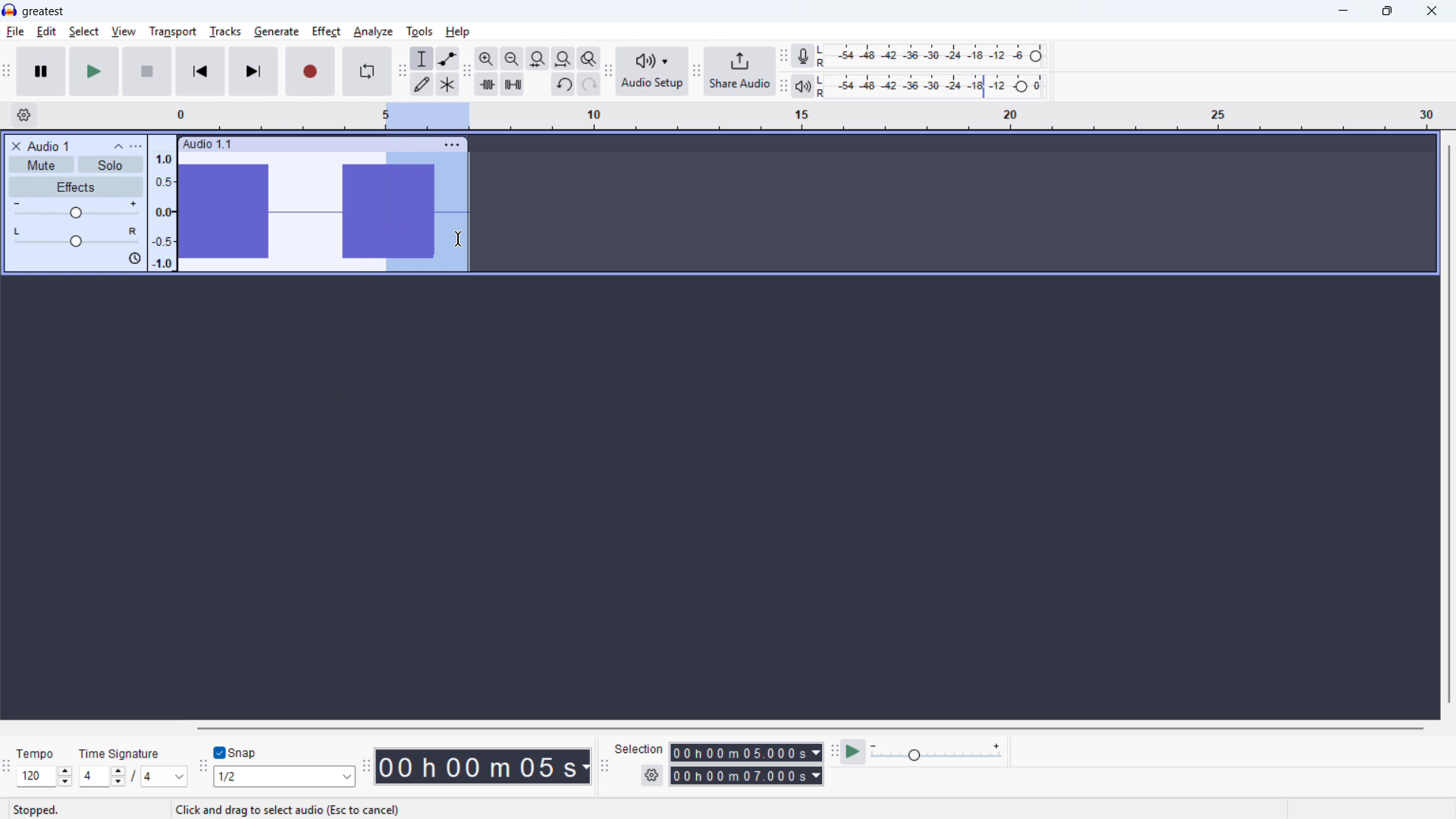 This screenshot has width=1456, height=819. What do you see at coordinates (134, 259) in the screenshot?
I see `sync-lock is on` at bounding box center [134, 259].